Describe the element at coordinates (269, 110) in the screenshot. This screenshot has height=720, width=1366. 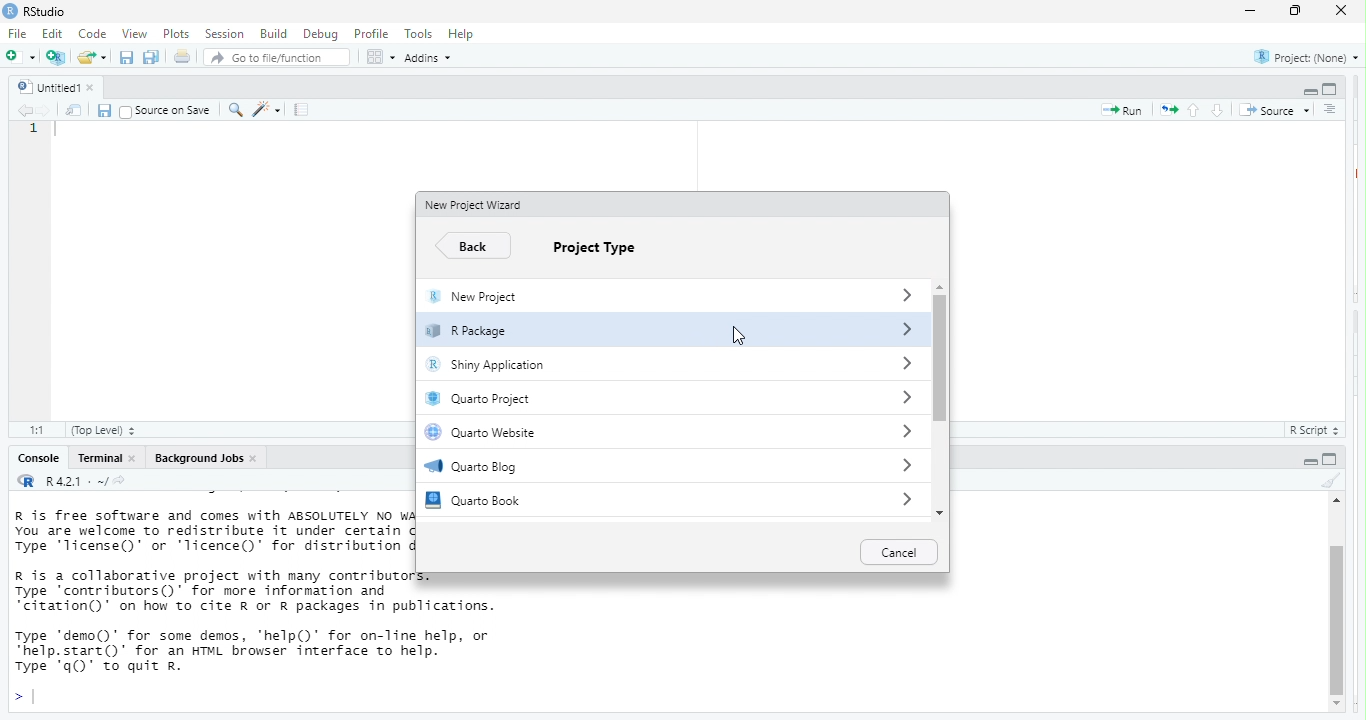
I see `code tools` at that location.